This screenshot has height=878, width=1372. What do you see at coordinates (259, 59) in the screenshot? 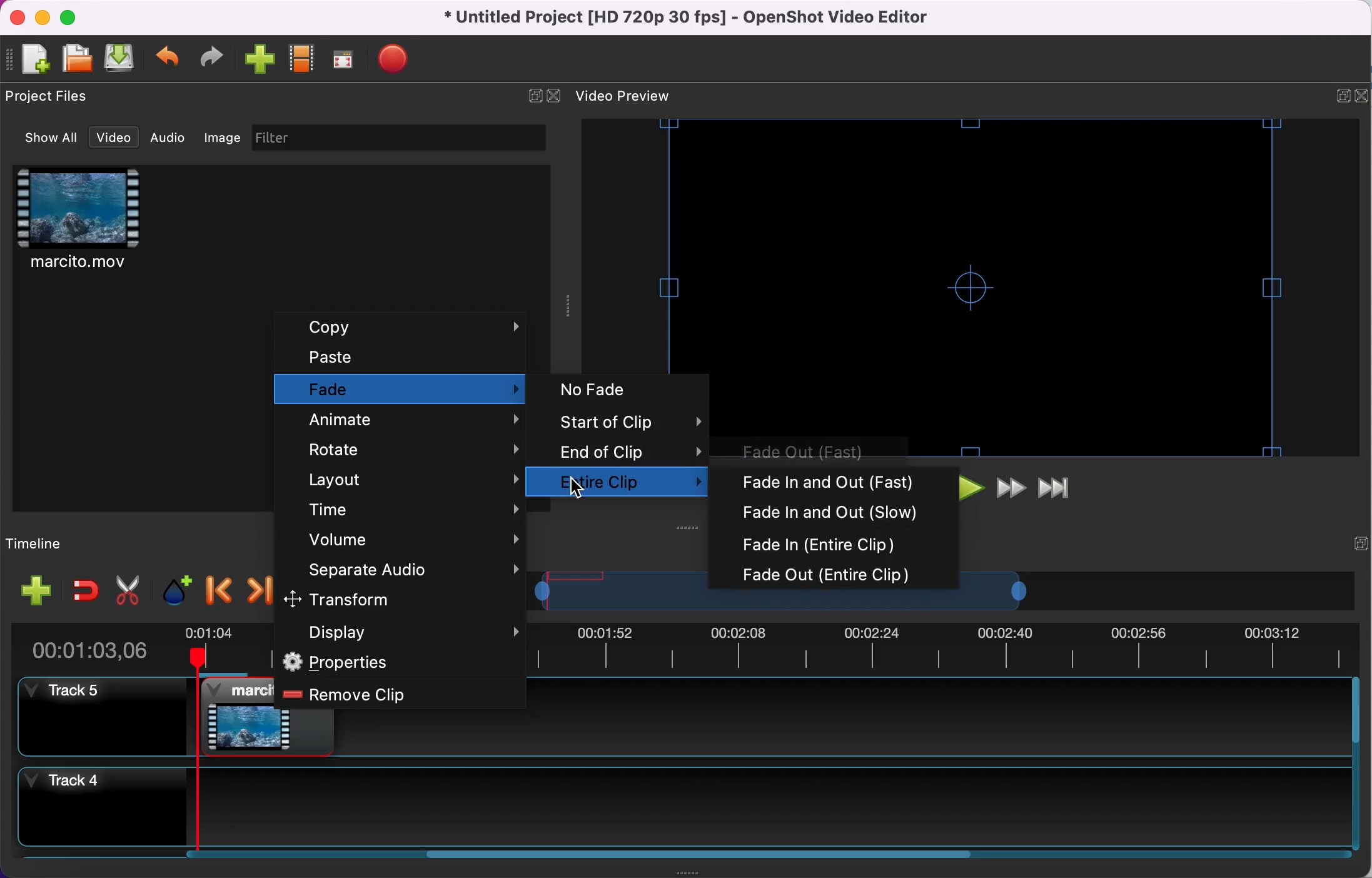
I see `import file` at bounding box center [259, 59].